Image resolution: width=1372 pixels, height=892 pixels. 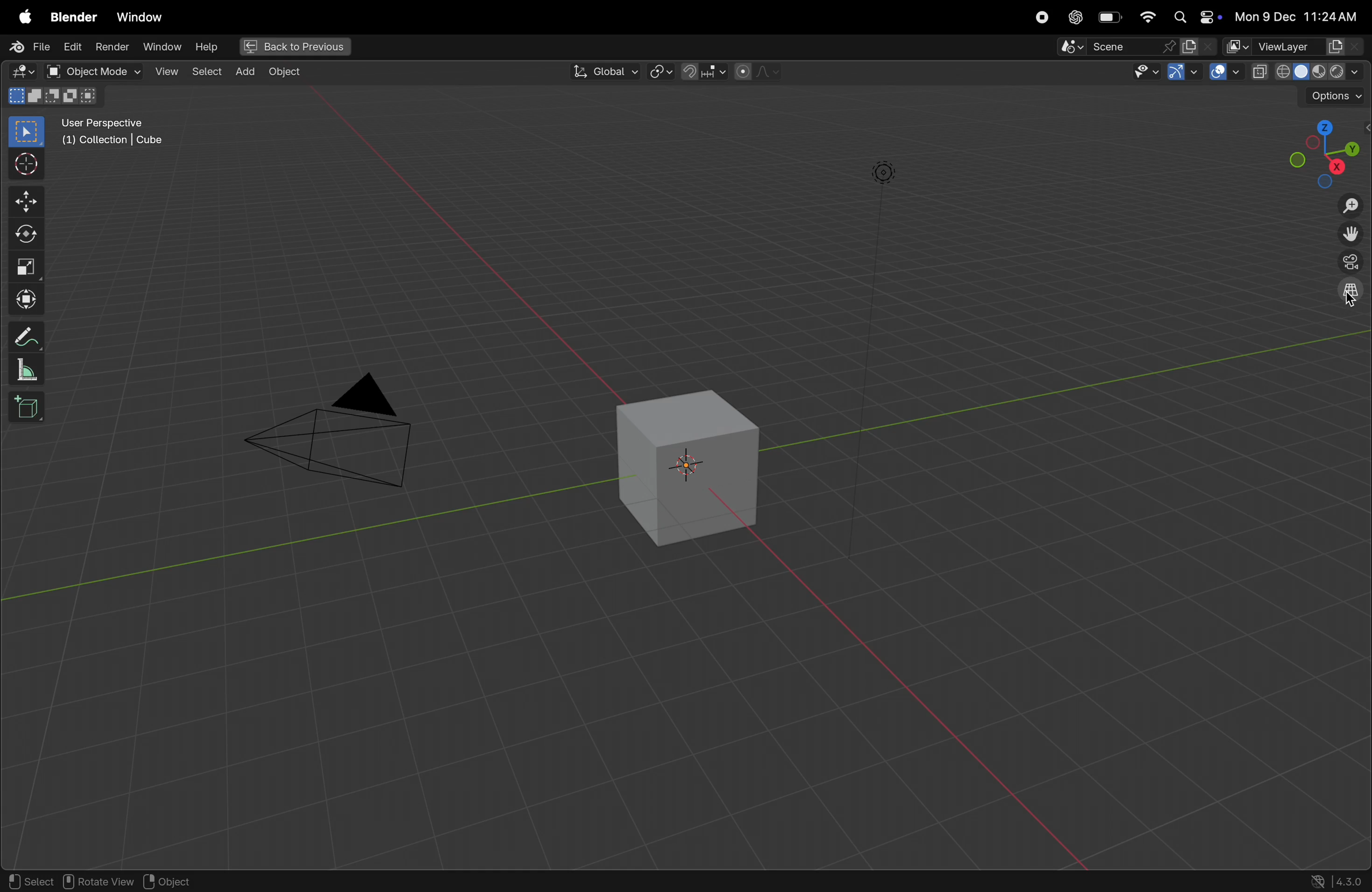 What do you see at coordinates (295, 46) in the screenshot?
I see `Back previous` at bounding box center [295, 46].